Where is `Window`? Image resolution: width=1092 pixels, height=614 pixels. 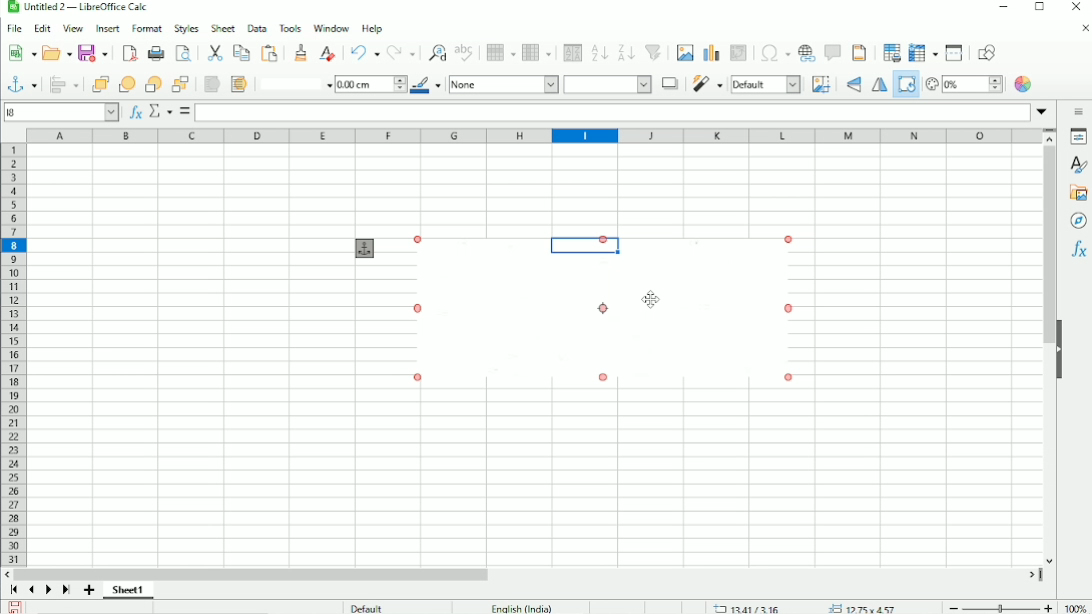
Window is located at coordinates (331, 26).